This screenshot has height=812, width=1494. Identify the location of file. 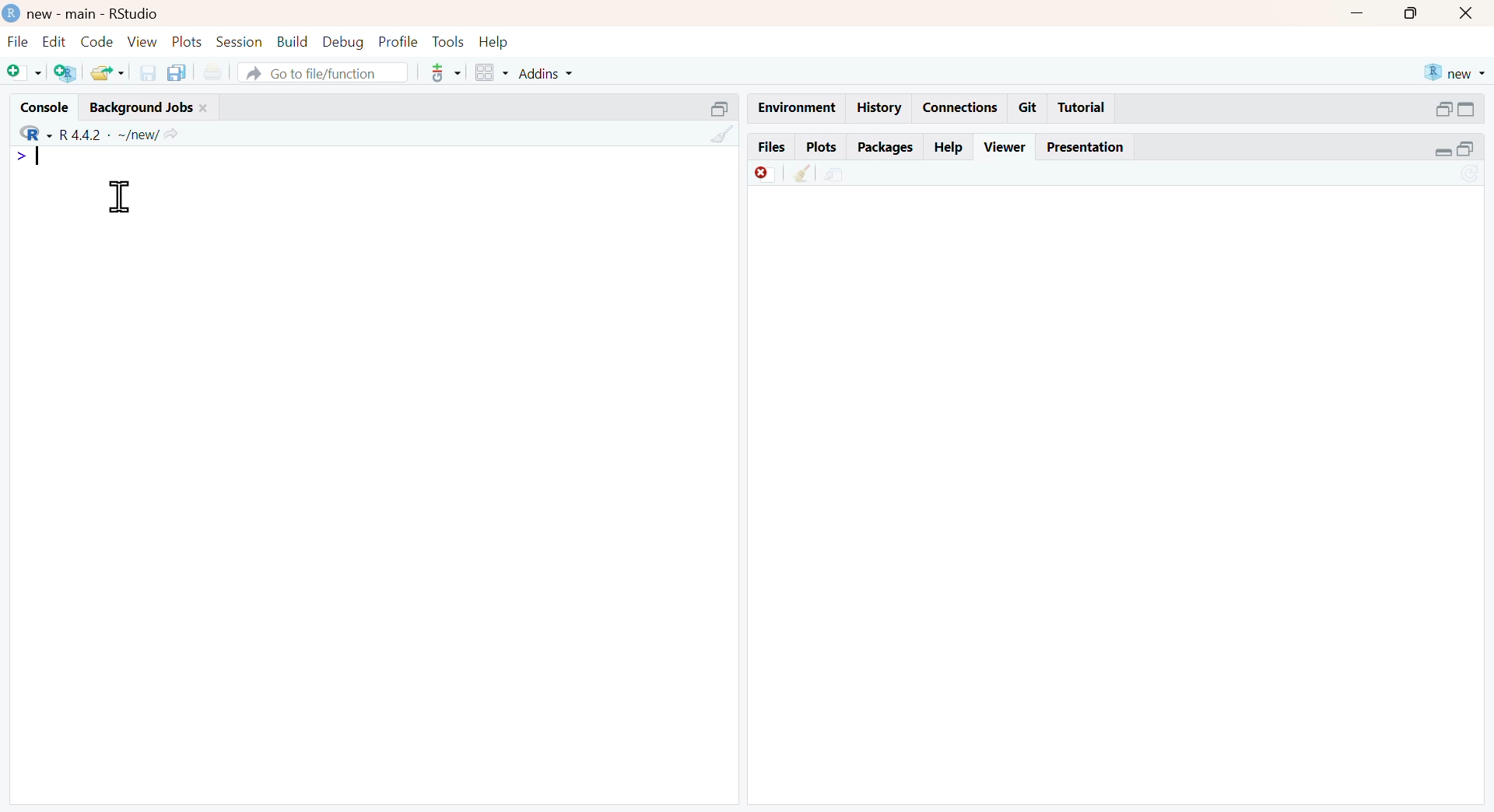
(20, 41).